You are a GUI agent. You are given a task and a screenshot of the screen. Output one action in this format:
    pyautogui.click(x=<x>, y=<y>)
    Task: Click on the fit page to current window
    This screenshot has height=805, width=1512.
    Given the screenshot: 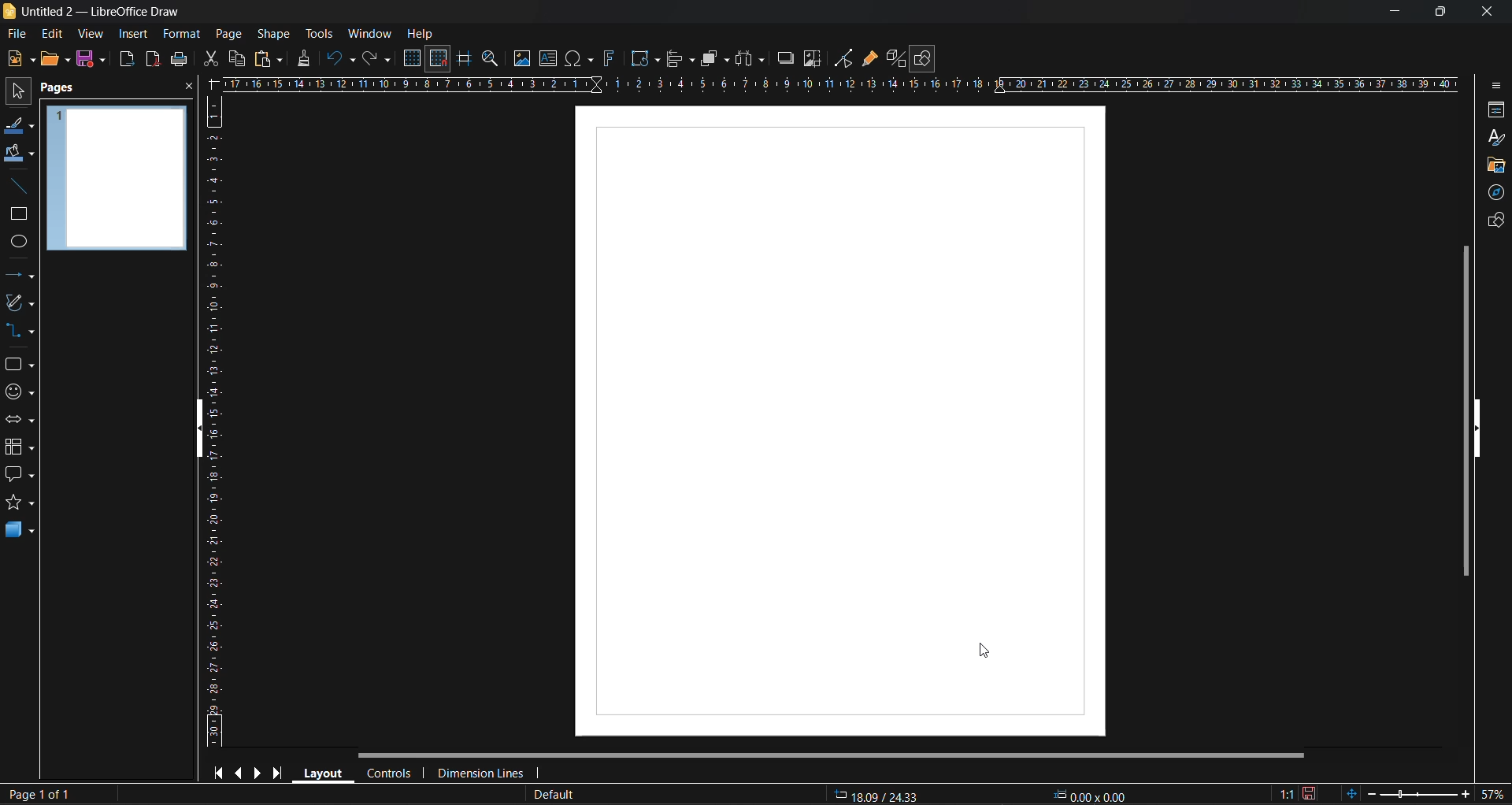 What is the action you would take?
    pyautogui.click(x=1351, y=793)
    